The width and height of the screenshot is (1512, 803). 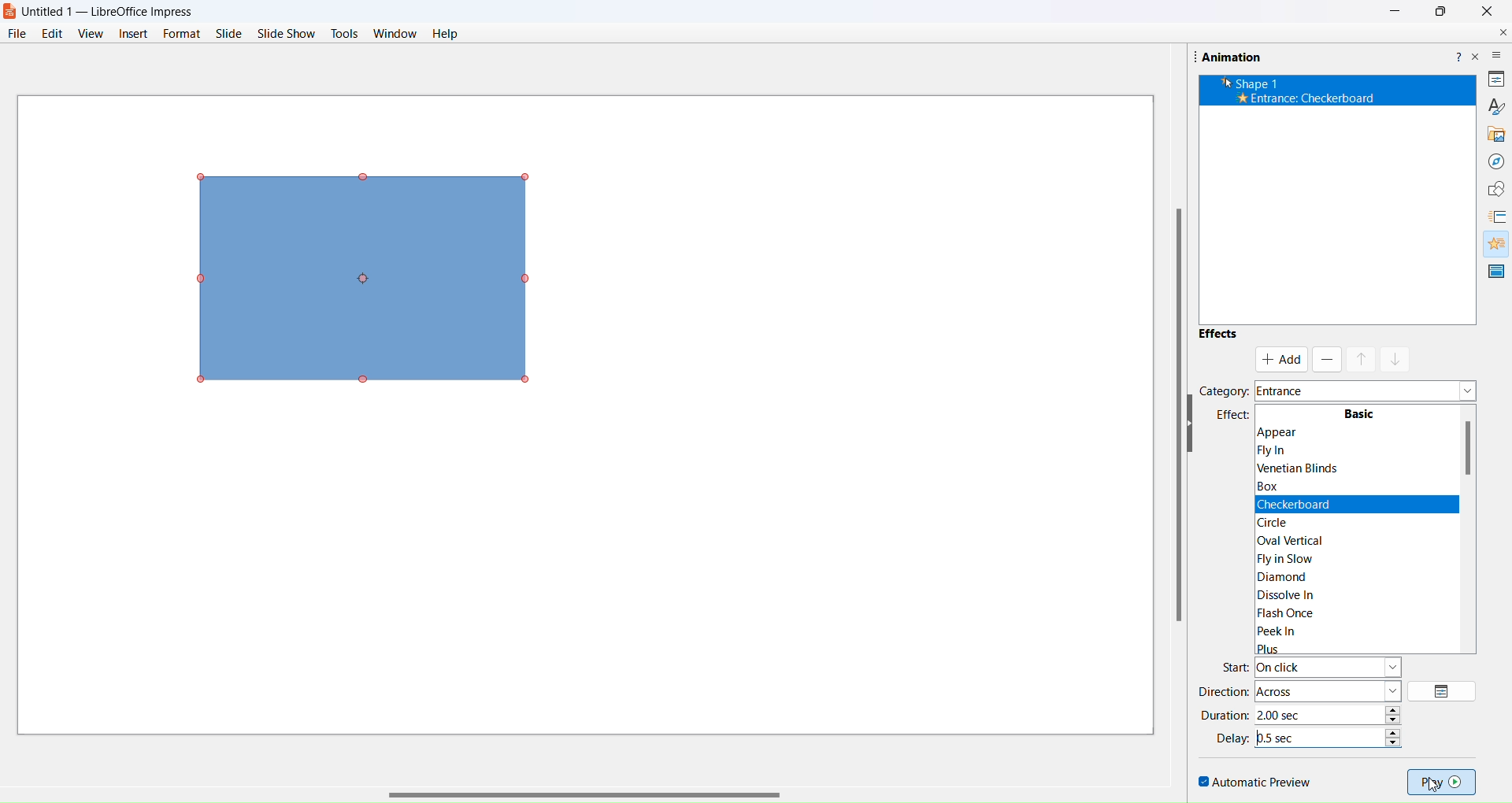 I want to click on brush, so click(x=1494, y=105).